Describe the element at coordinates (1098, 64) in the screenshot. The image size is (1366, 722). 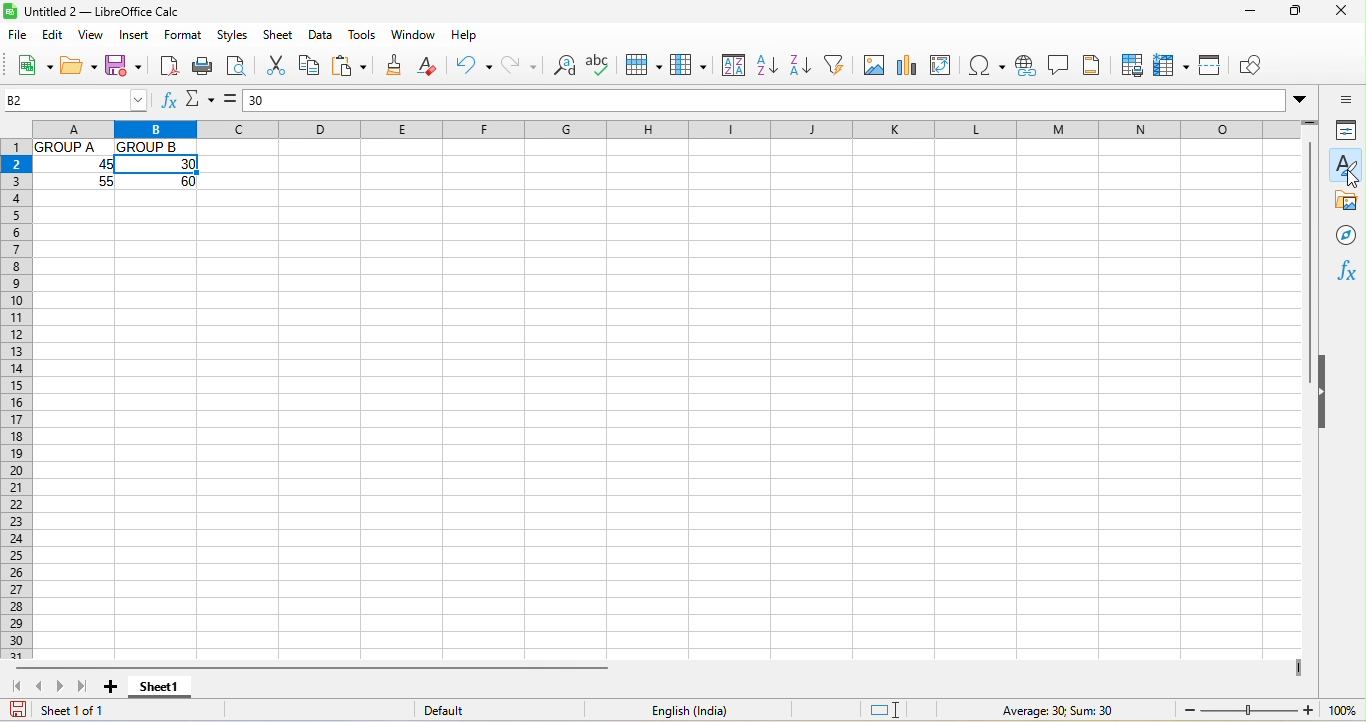
I see `header and footers` at that location.